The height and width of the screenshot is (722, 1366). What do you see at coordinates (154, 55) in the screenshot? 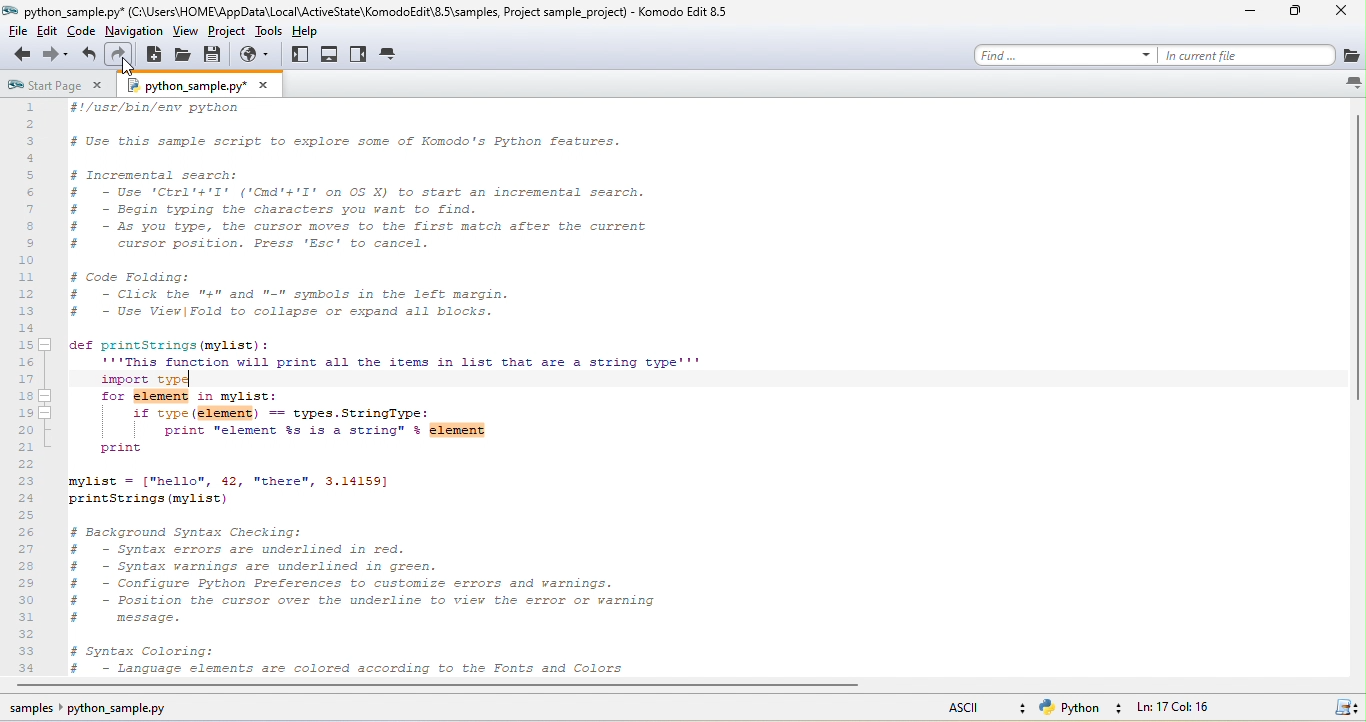
I see `new` at bounding box center [154, 55].